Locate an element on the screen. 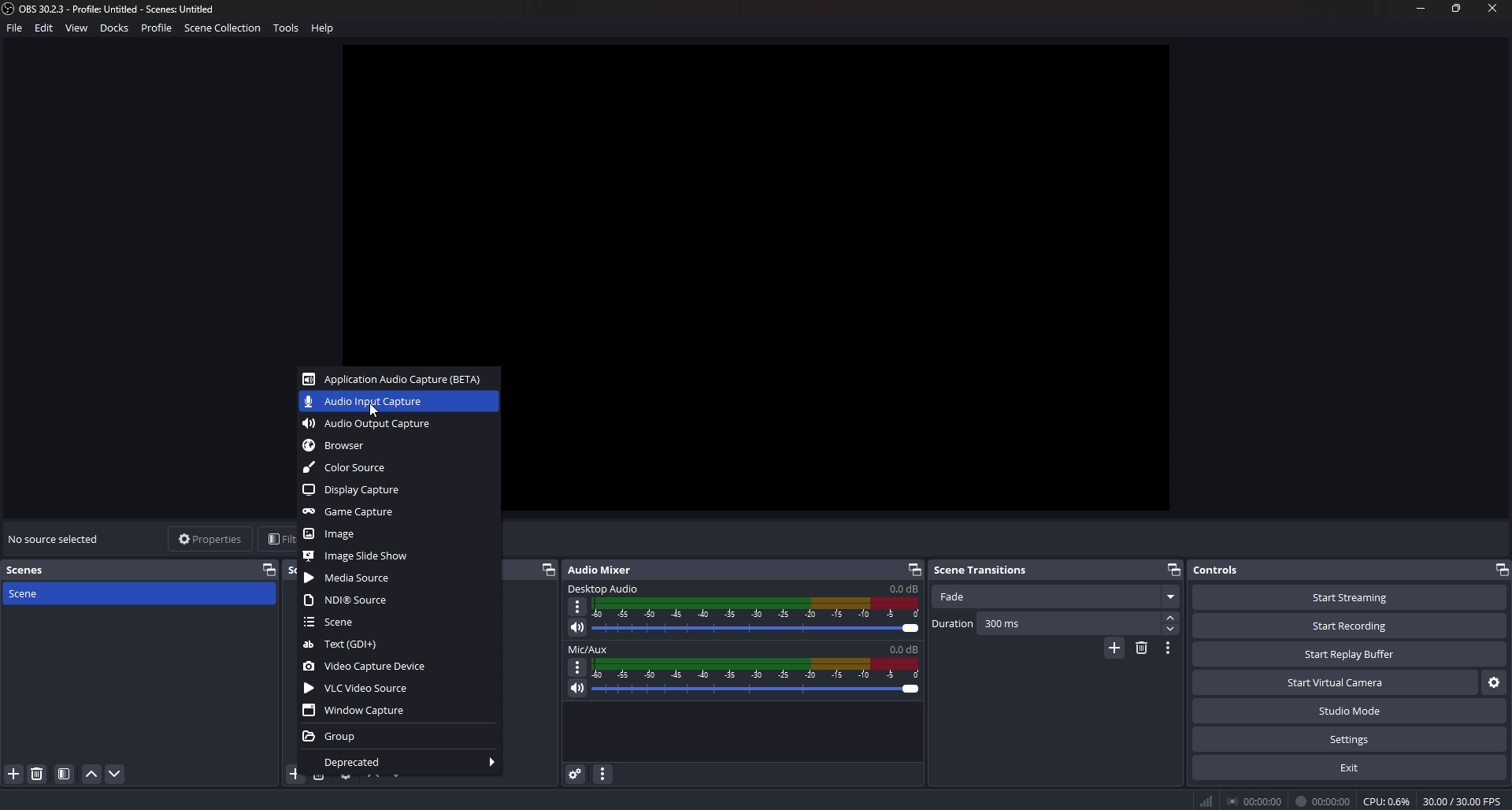 Image resolution: width=1512 pixels, height=810 pixels. desktop audio is located at coordinates (606, 587).